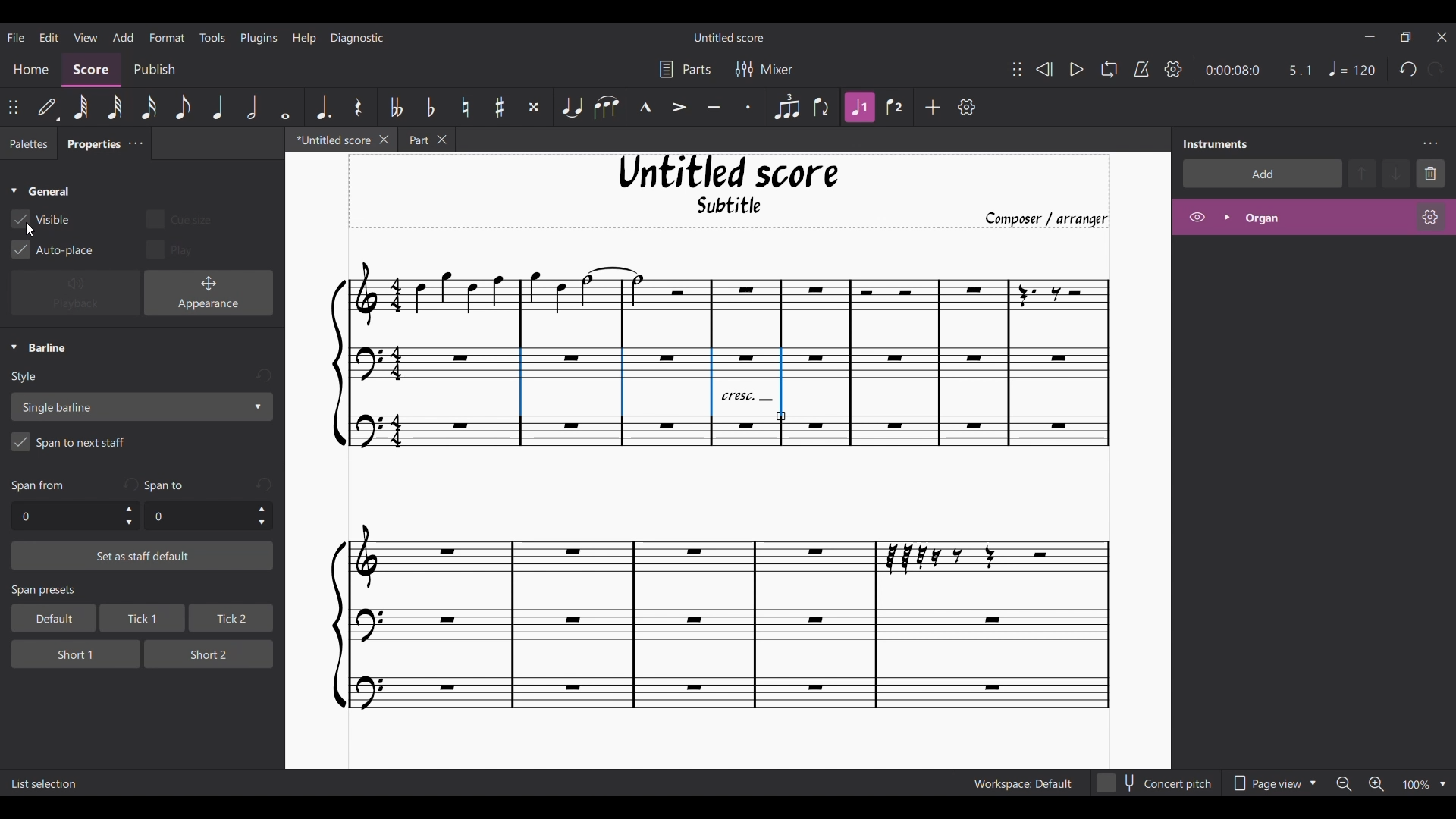 The width and height of the screenshot is (1456, 819). I want to click on Page view options, so click(1271, 783).